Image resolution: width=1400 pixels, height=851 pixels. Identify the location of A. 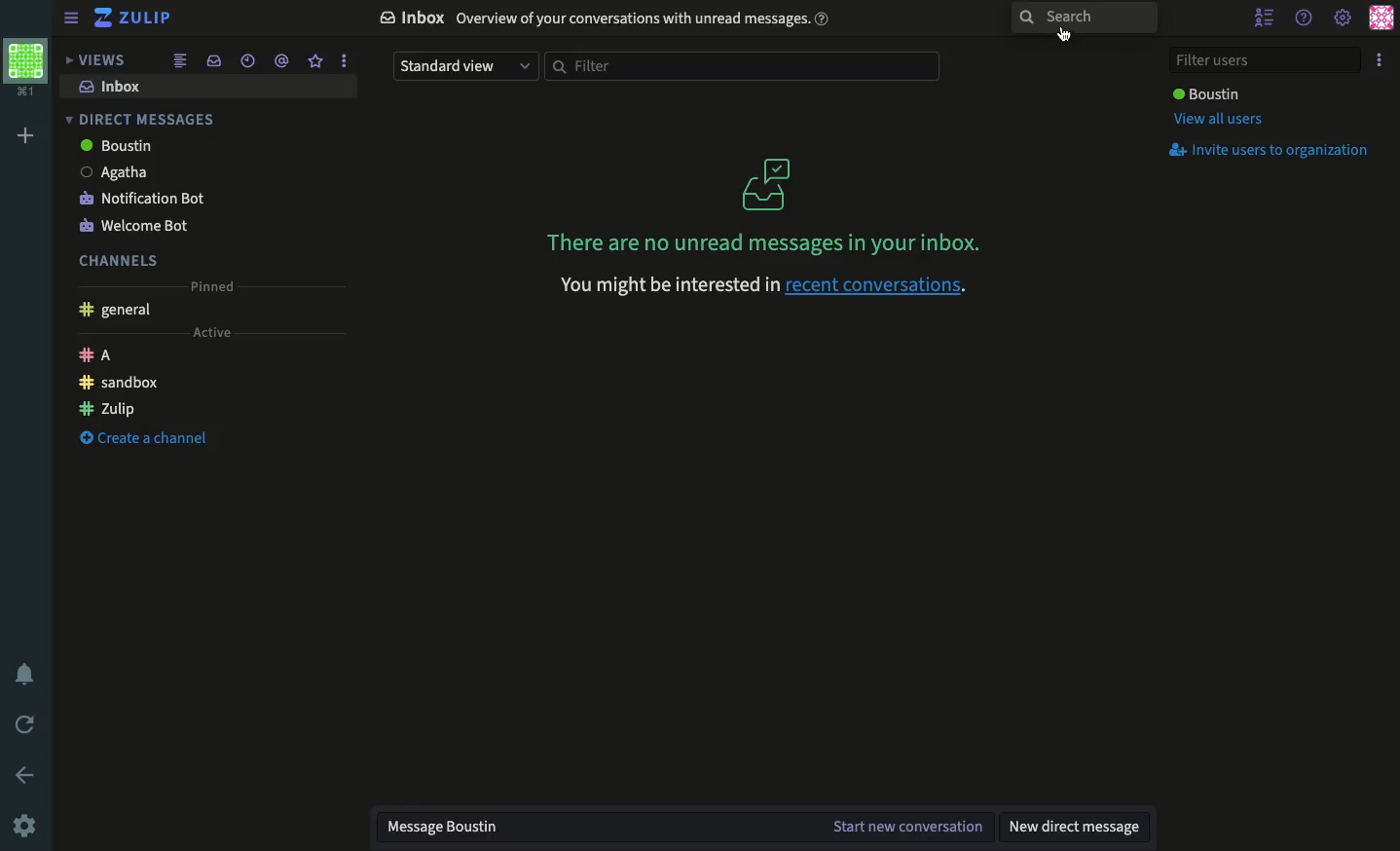
(95, 355).